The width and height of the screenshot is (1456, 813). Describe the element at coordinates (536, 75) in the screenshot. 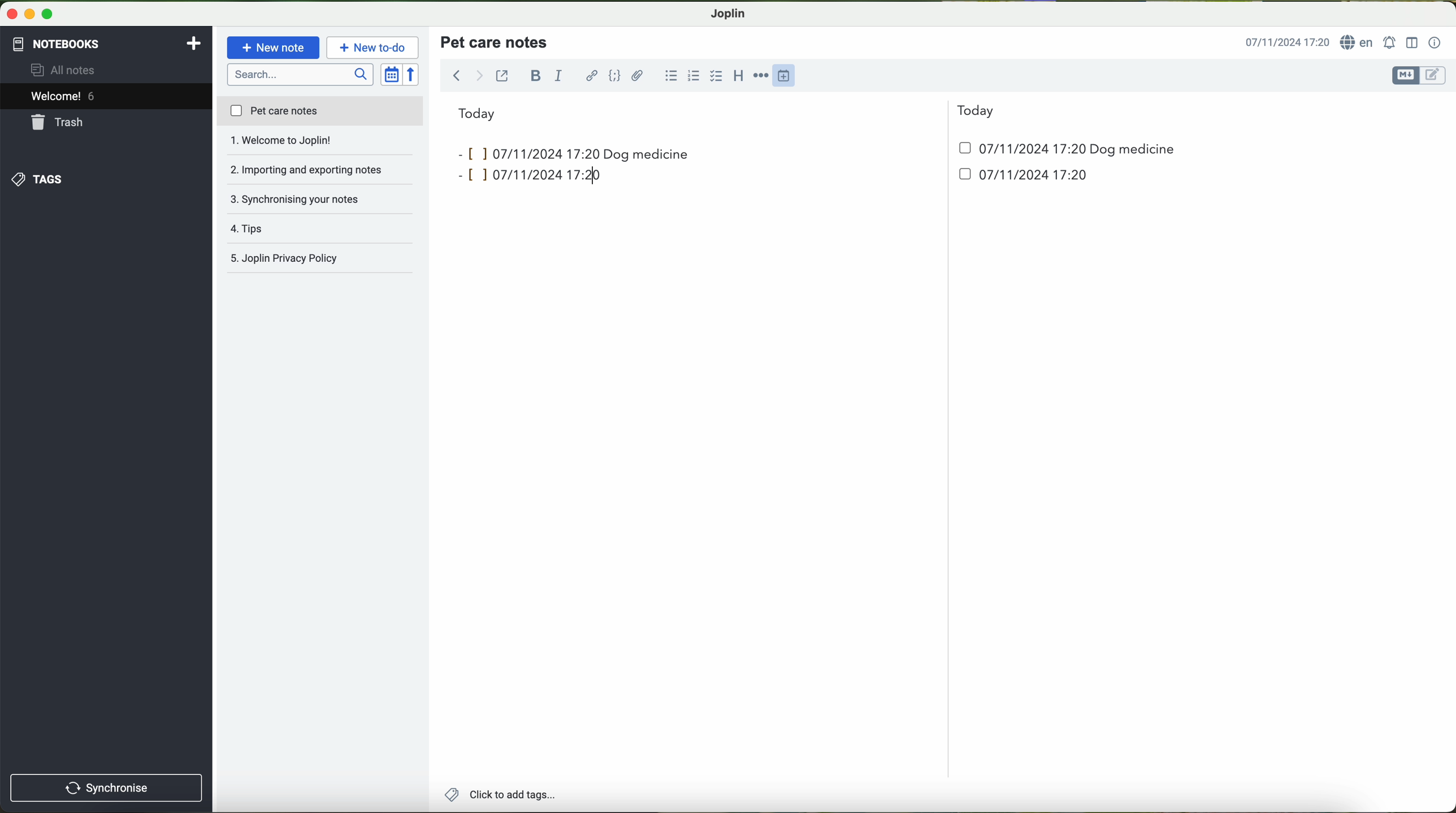

I see `bold` at that location.